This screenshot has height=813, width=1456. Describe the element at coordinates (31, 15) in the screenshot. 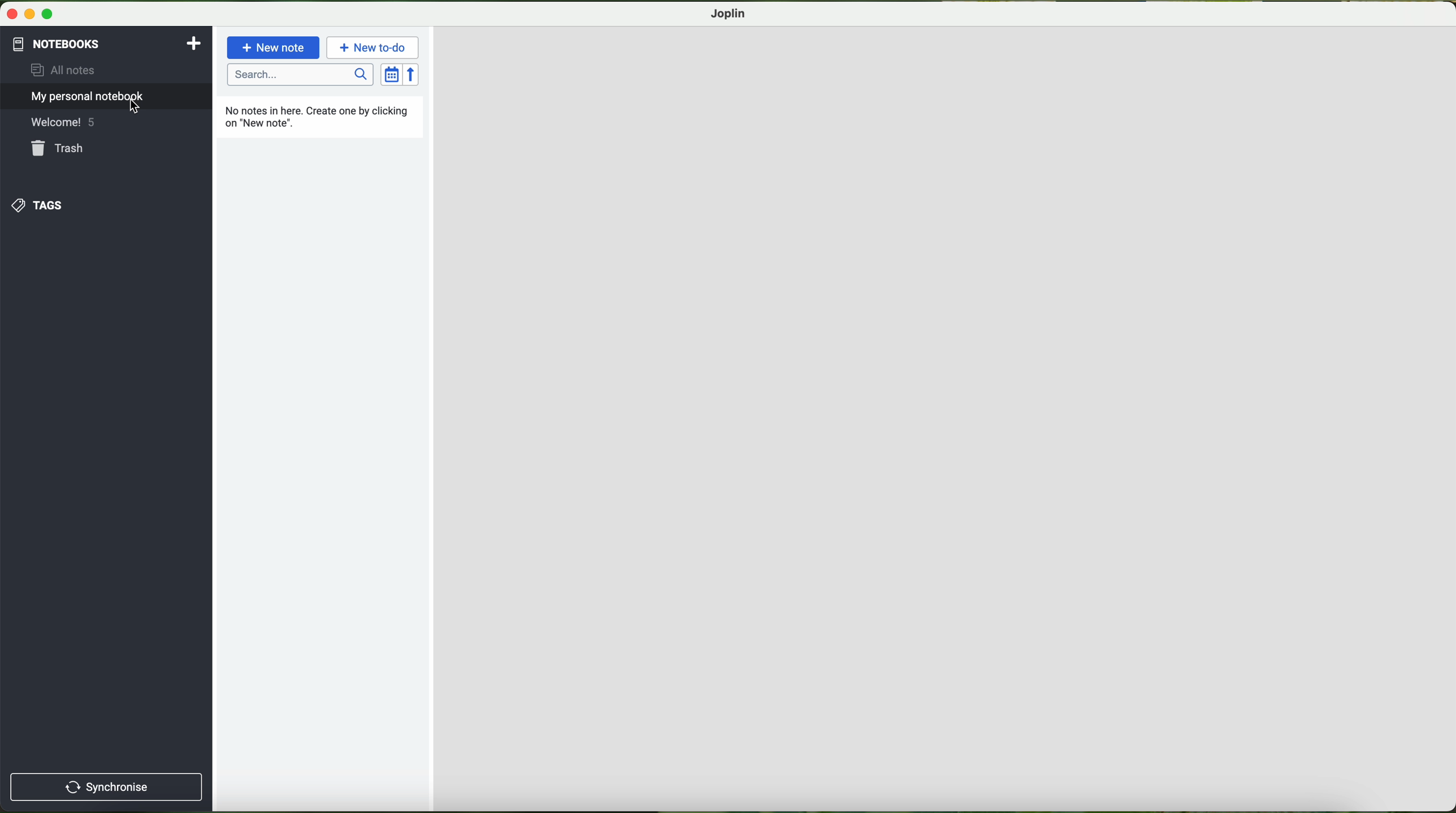

I see `minimize` at that location.